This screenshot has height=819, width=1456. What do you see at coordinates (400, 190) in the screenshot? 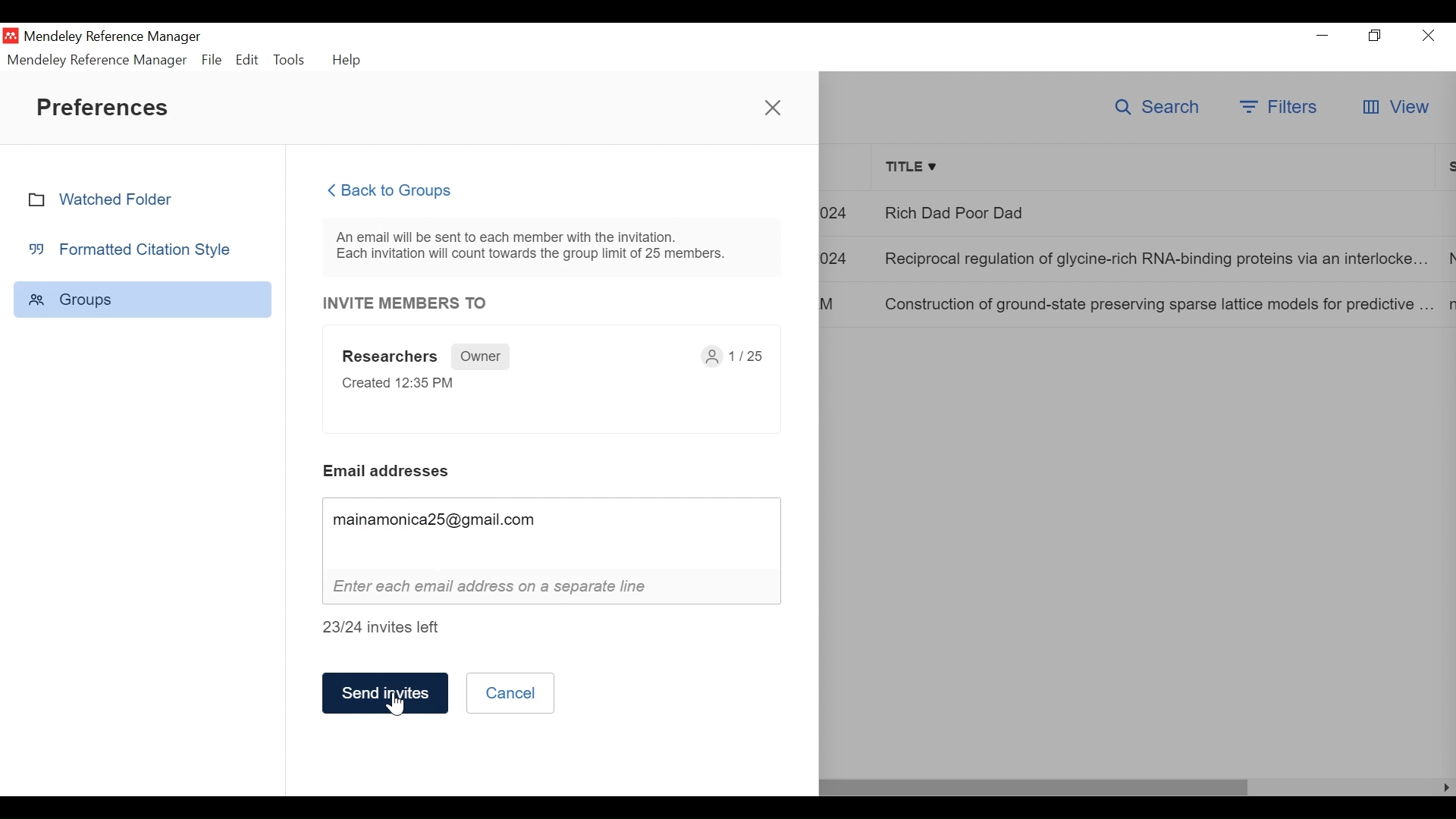
I see `Back to Groups` at bounding box center [400, 190].